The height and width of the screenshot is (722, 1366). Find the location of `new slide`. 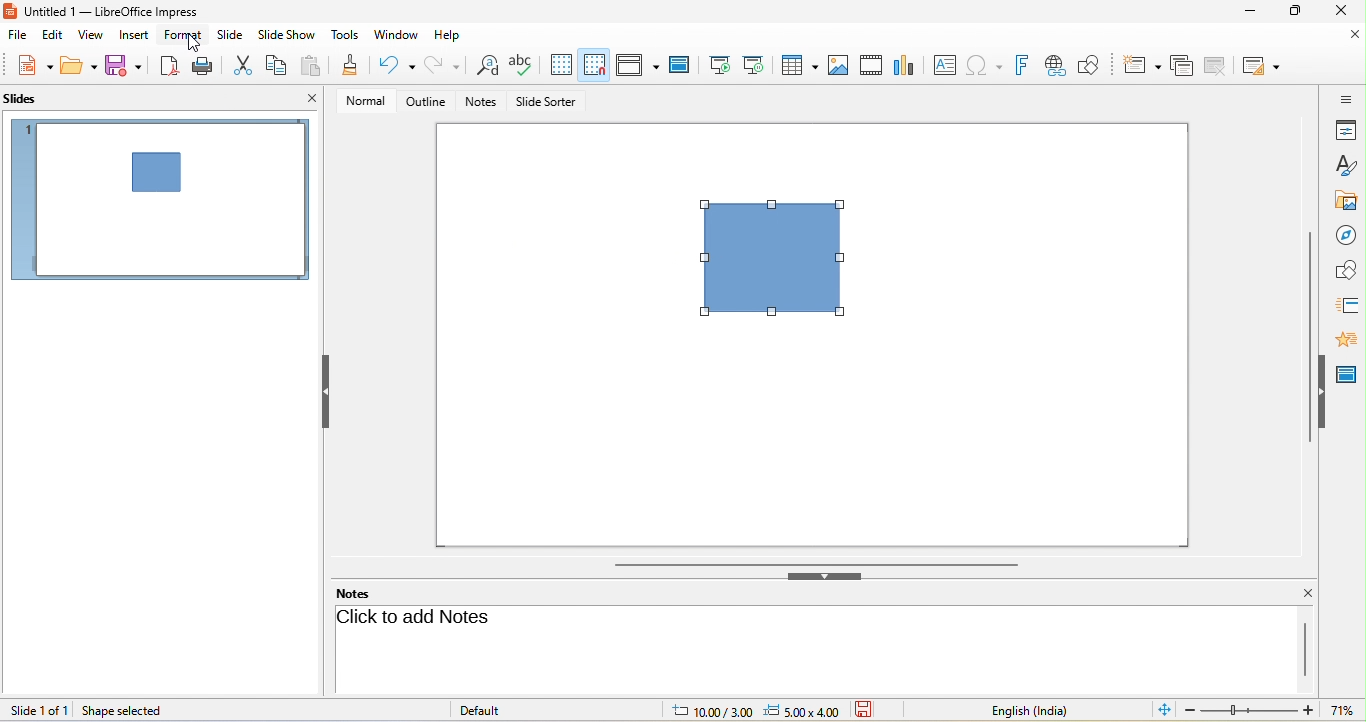

new slide is located at coordinates (1142, 66).